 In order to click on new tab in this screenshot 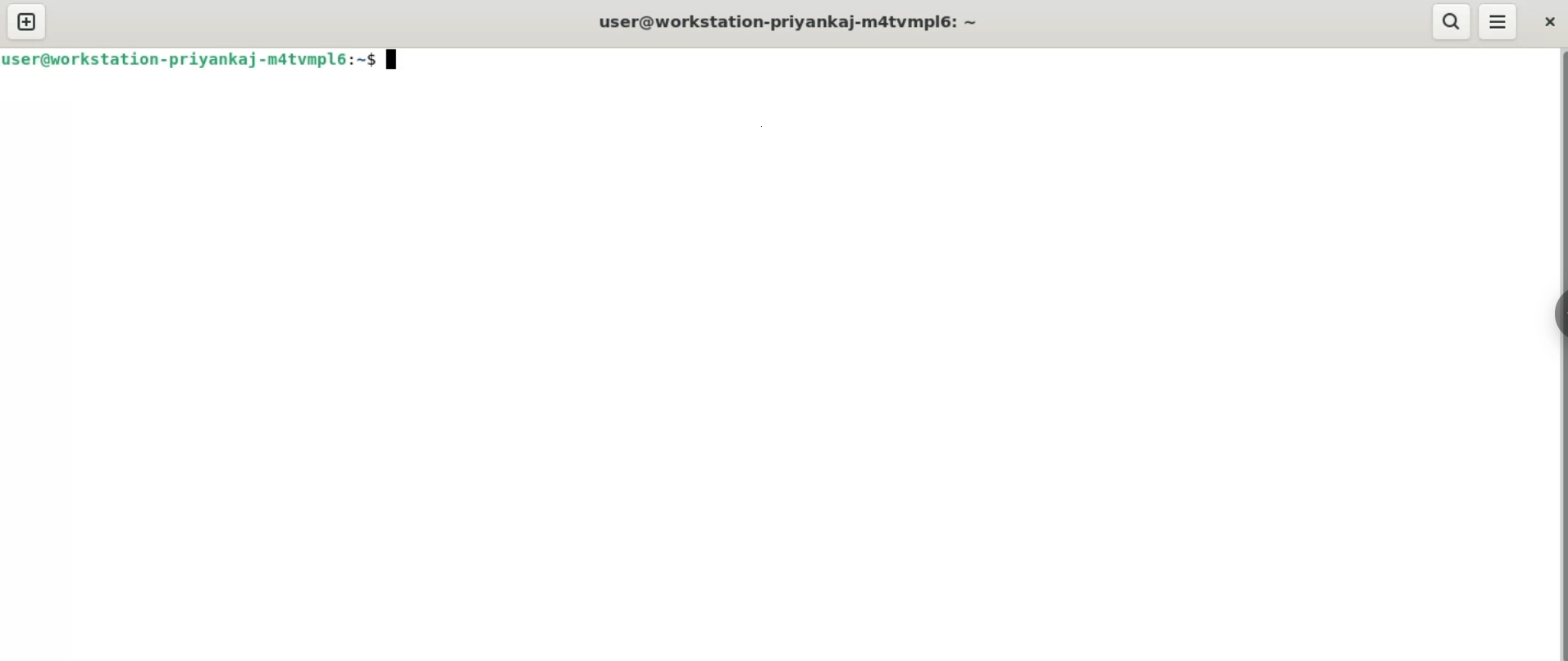, I will do `click(28, 22)`.